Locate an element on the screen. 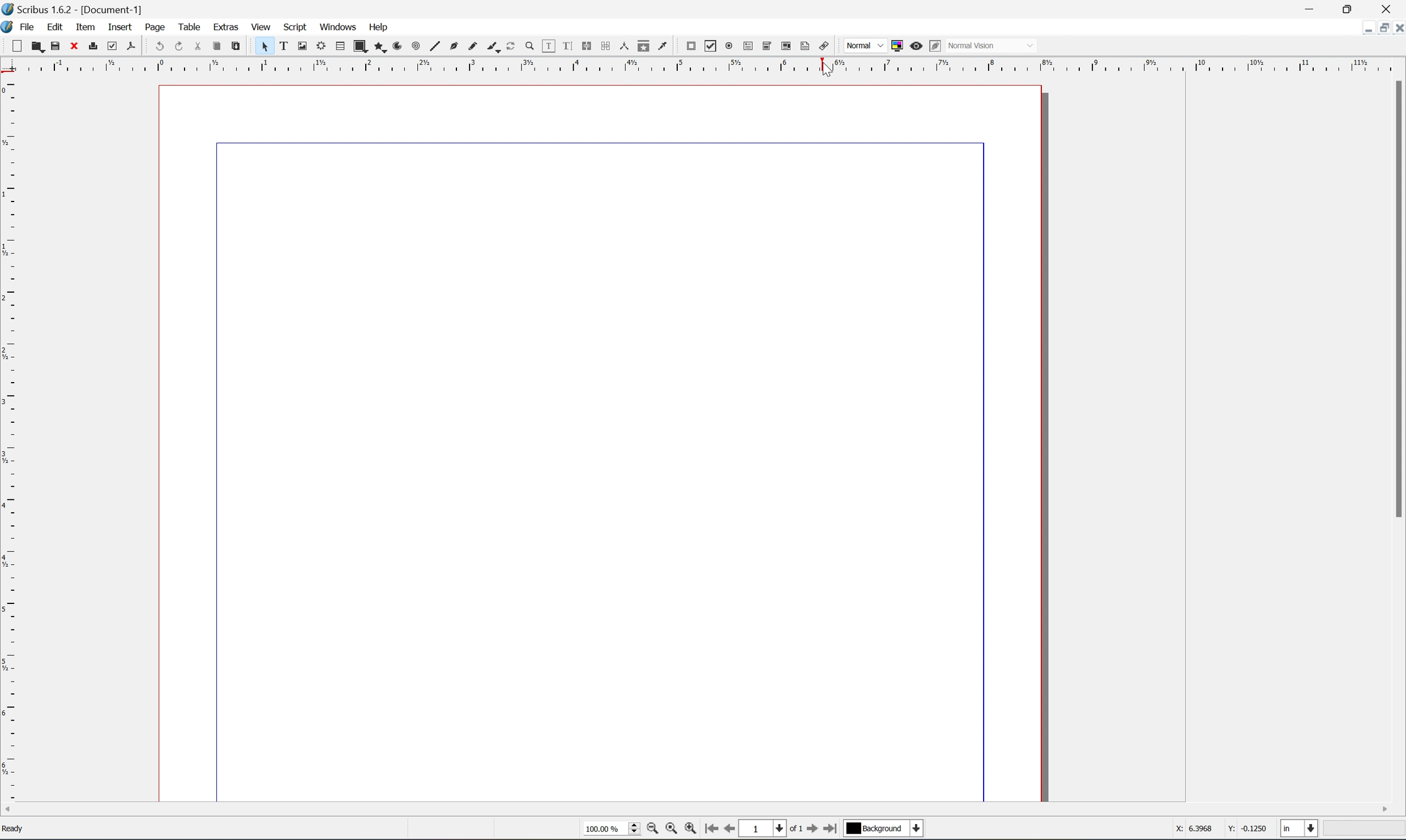 Image resolution: width=1406 pixels, height=840 pixels. ruler is located at coordinates (9, 440).